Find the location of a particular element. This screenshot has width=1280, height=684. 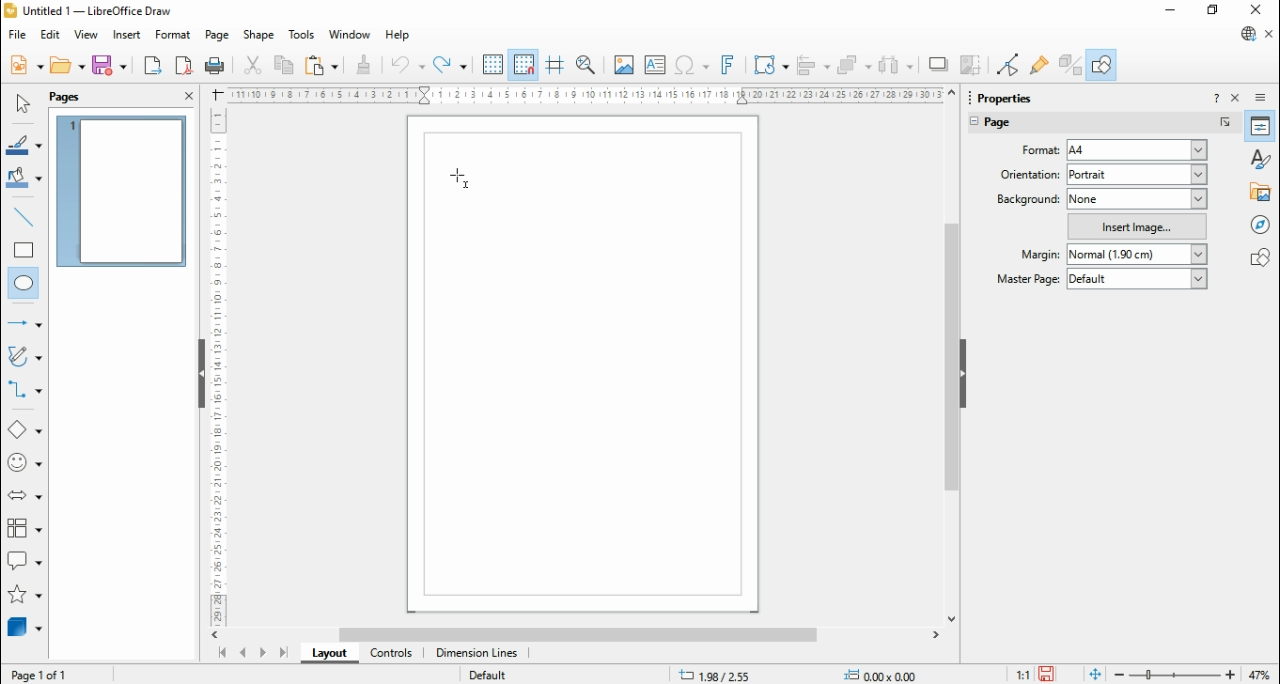

normal(1.90cm) is located at coordinates (1135, 254).